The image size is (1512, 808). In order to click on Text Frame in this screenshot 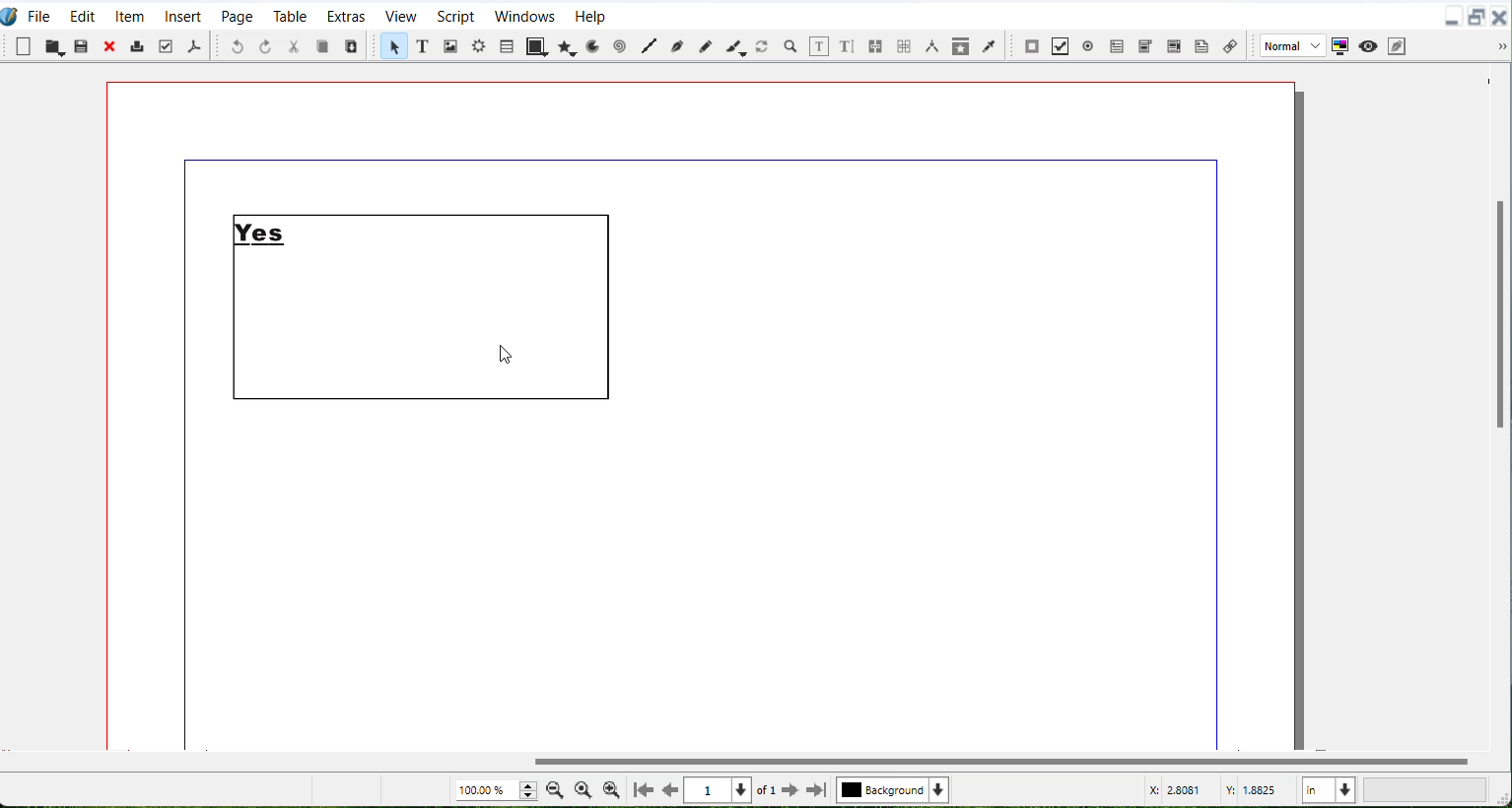, I will do `click(430, 309)`.